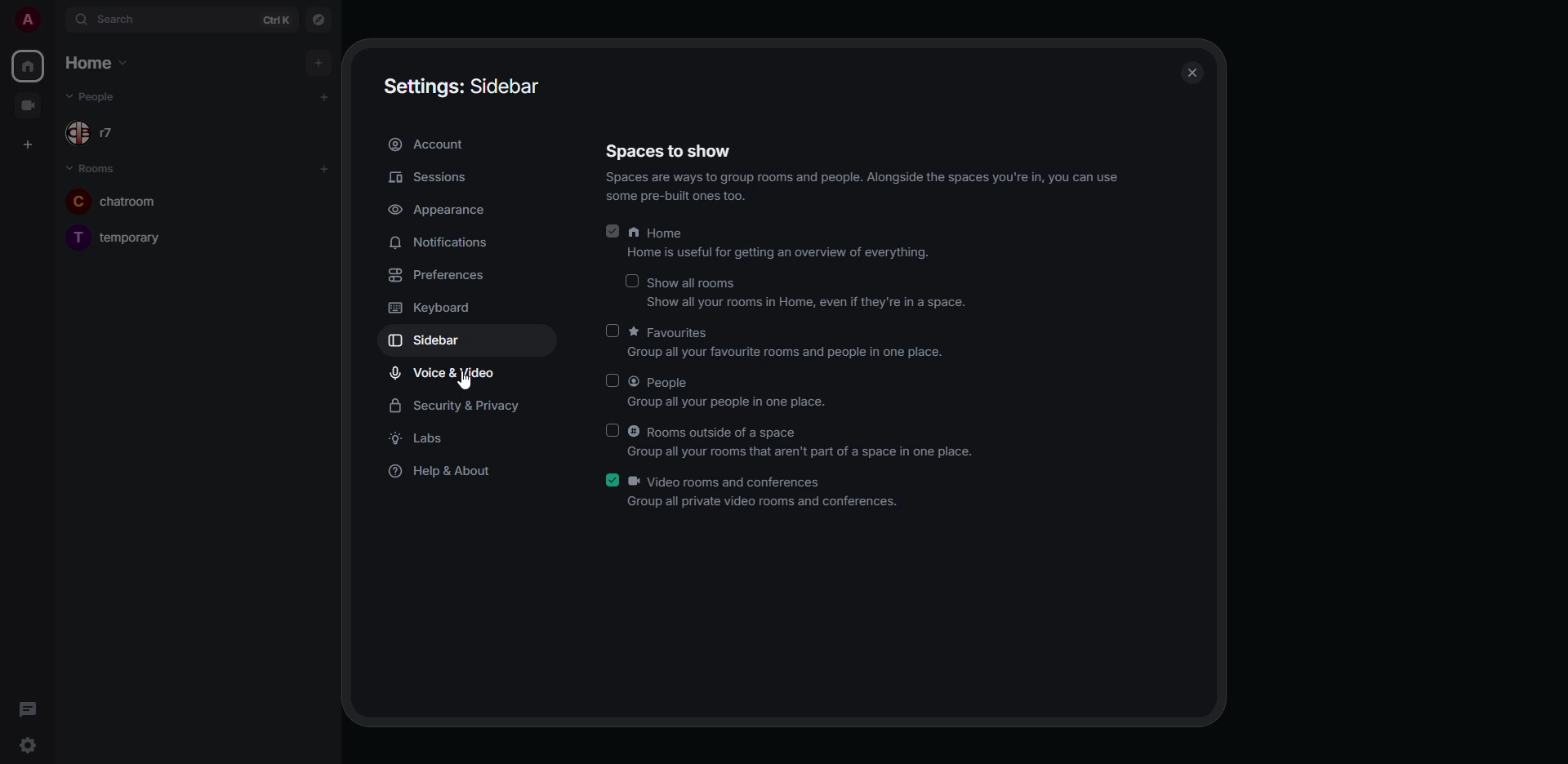  I want to click on help & about, so click(439, 470).